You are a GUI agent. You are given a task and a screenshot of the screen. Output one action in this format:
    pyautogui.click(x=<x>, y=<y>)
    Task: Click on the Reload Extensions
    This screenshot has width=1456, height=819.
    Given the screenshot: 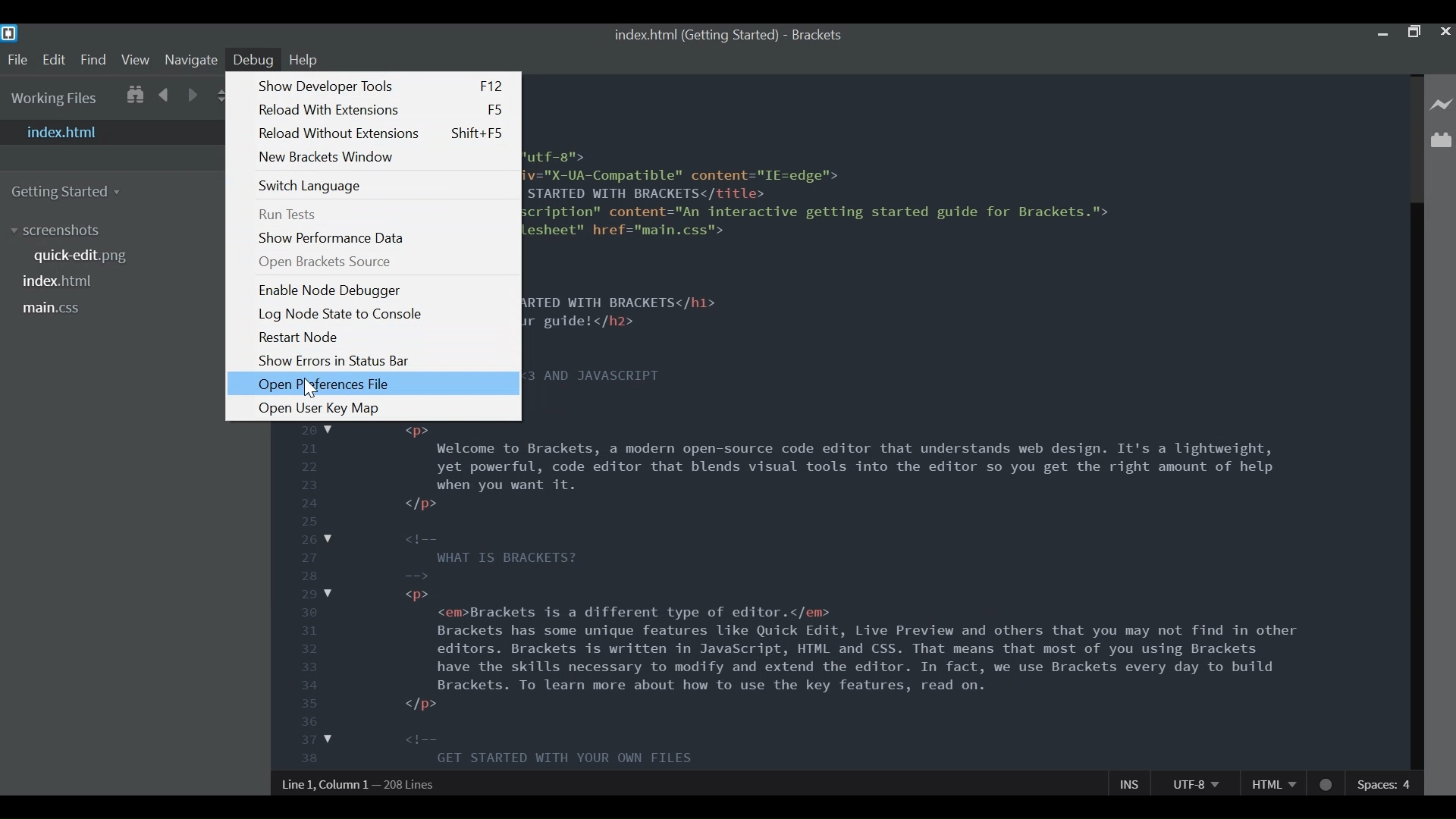 What is the action you would take?
    pyautogui.click(x=381, y=110)
    